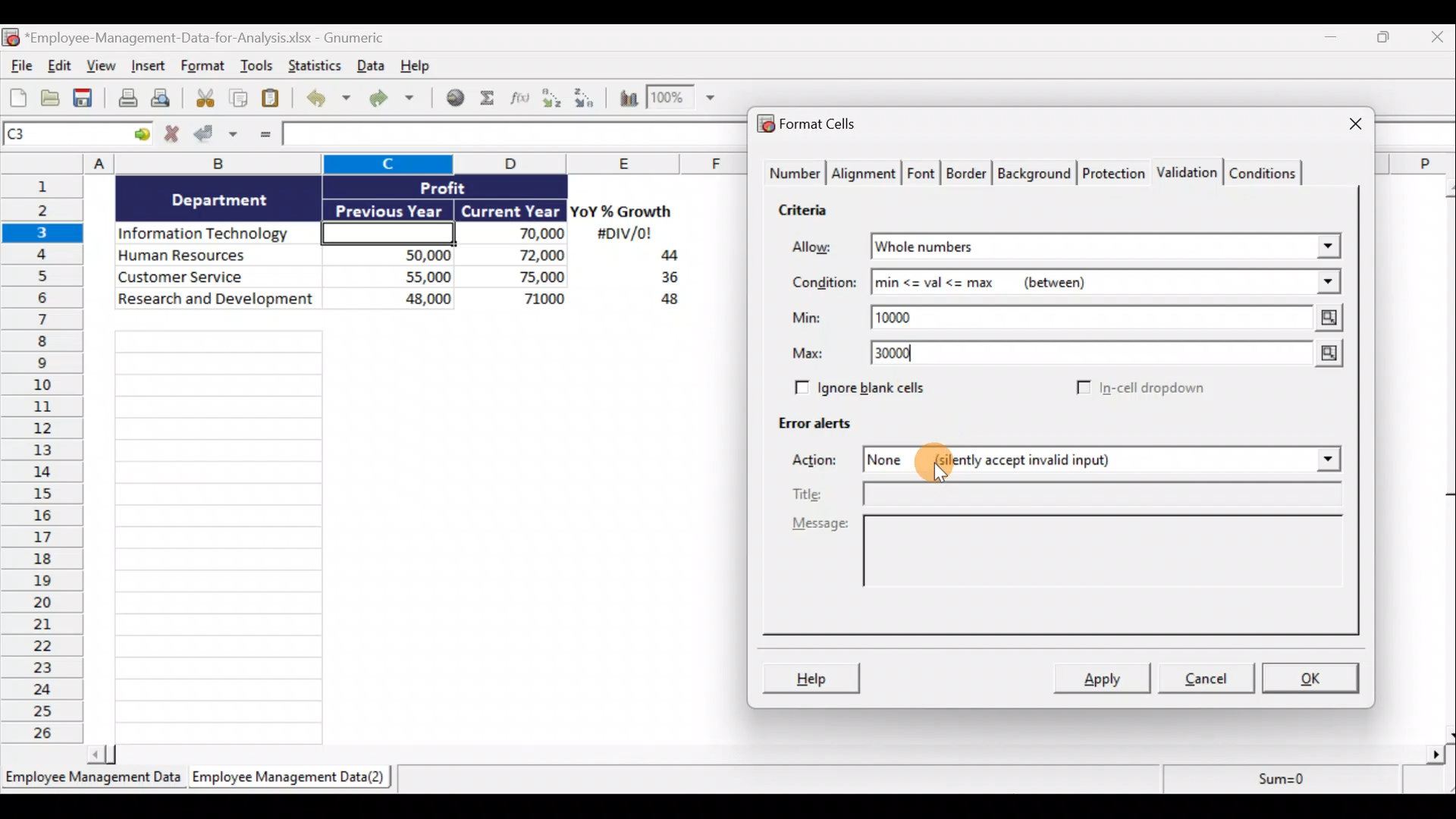 The height and width of the screenshot is (819, 1456). Describe the element at coordinates (1064, 560) in the screenshot. I see `Message` at that location.